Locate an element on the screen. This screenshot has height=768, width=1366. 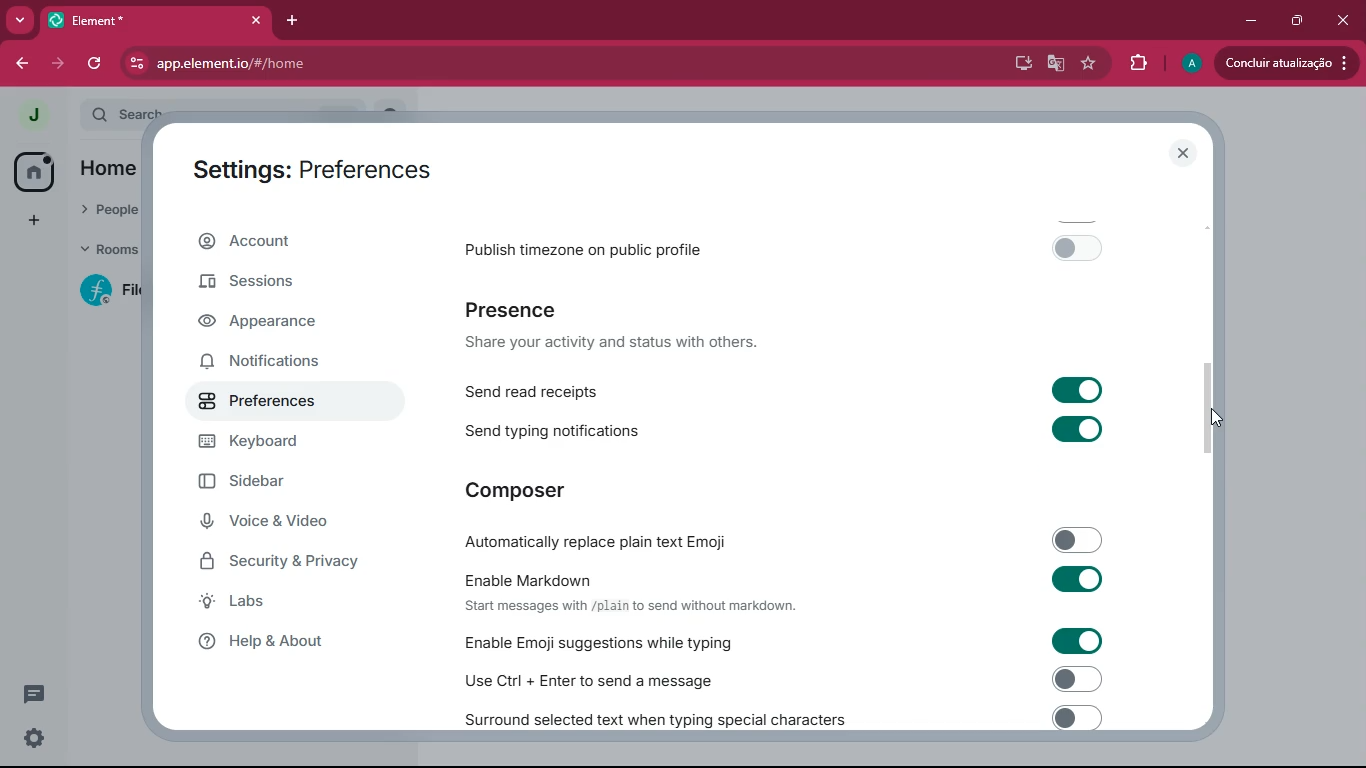
send receipts is located at coordinates (788, 389).